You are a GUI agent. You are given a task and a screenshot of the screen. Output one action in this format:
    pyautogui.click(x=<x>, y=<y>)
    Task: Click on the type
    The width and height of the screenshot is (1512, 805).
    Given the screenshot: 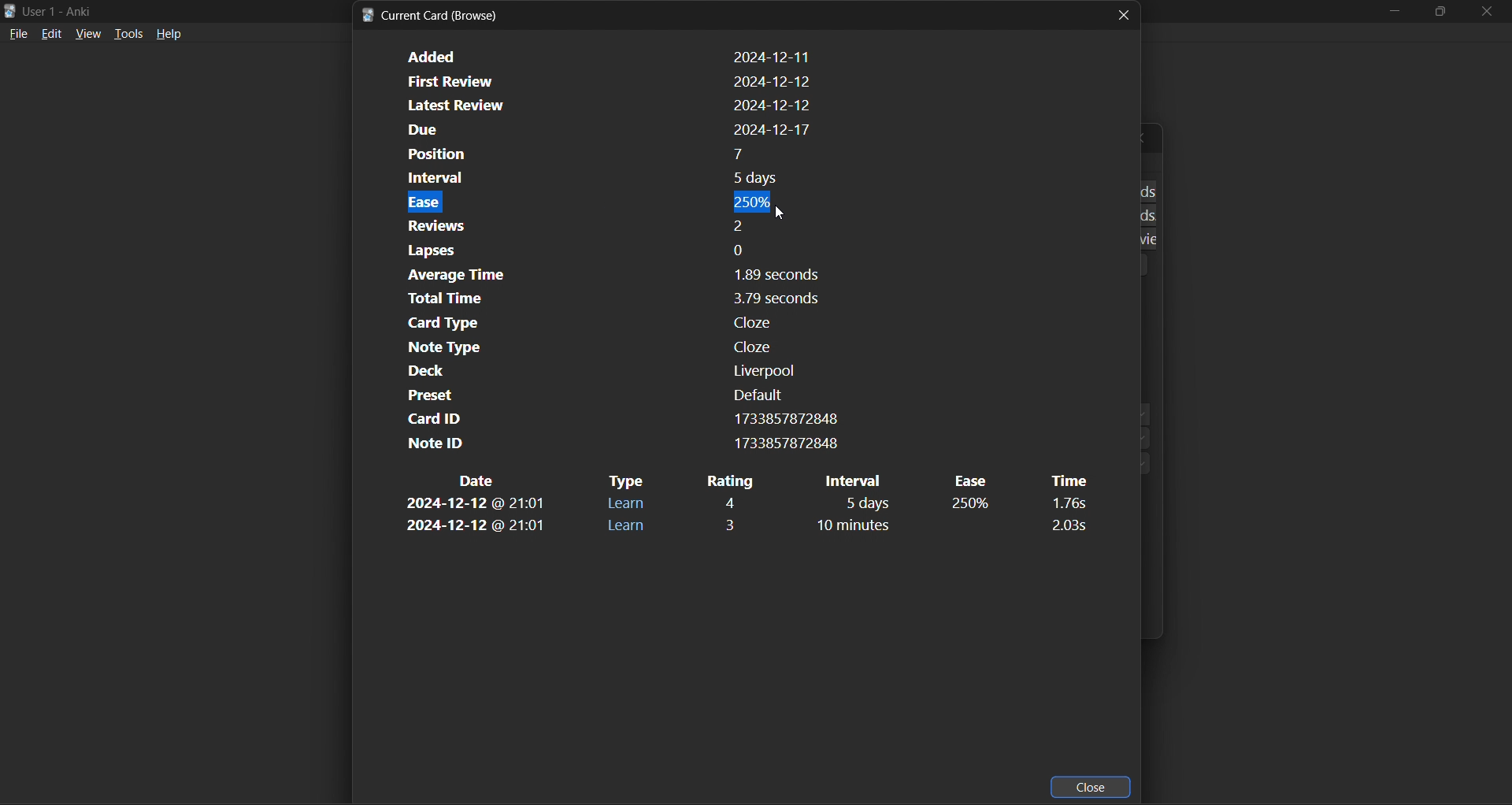 What is the action you would take?
    pyautogui.click(x=625, y=504)
    